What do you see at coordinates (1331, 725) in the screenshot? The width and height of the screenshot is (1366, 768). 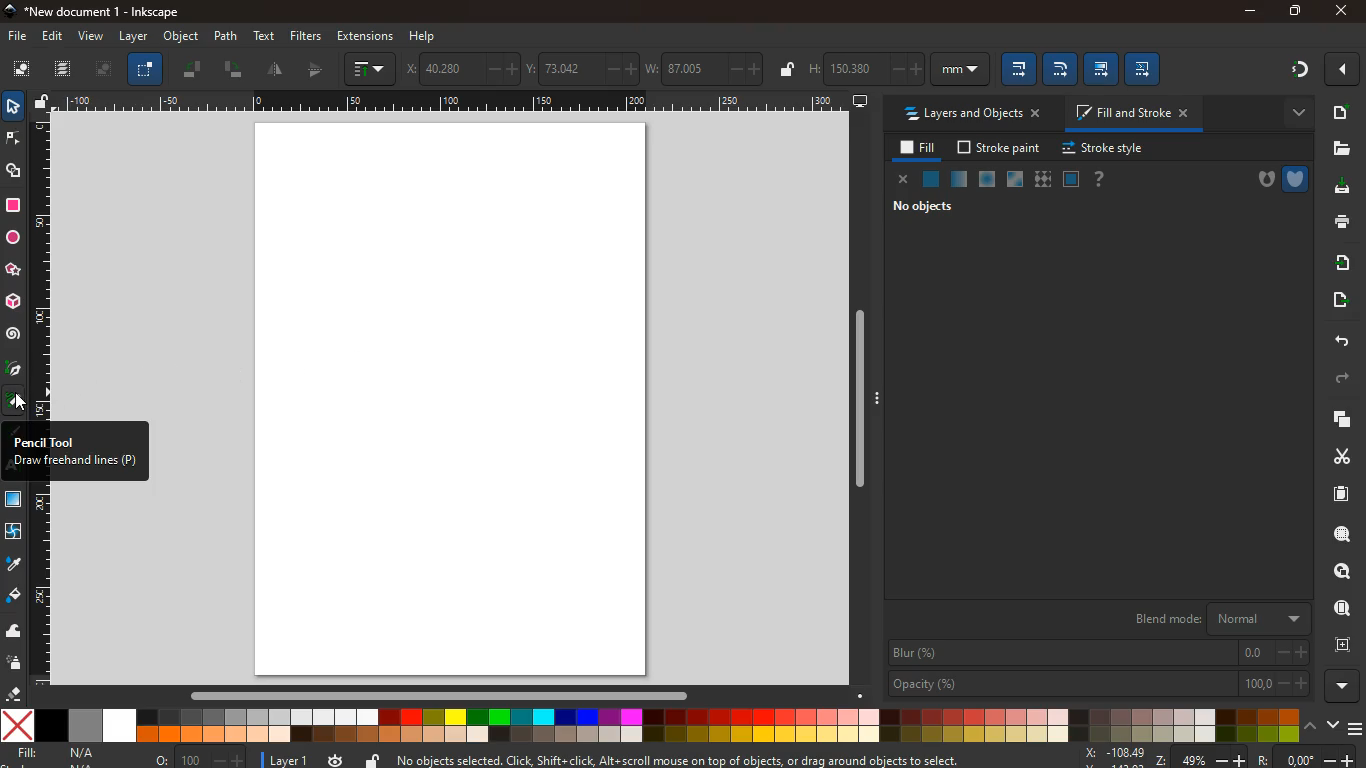 I see `down` at bounding box center [1331, 725].